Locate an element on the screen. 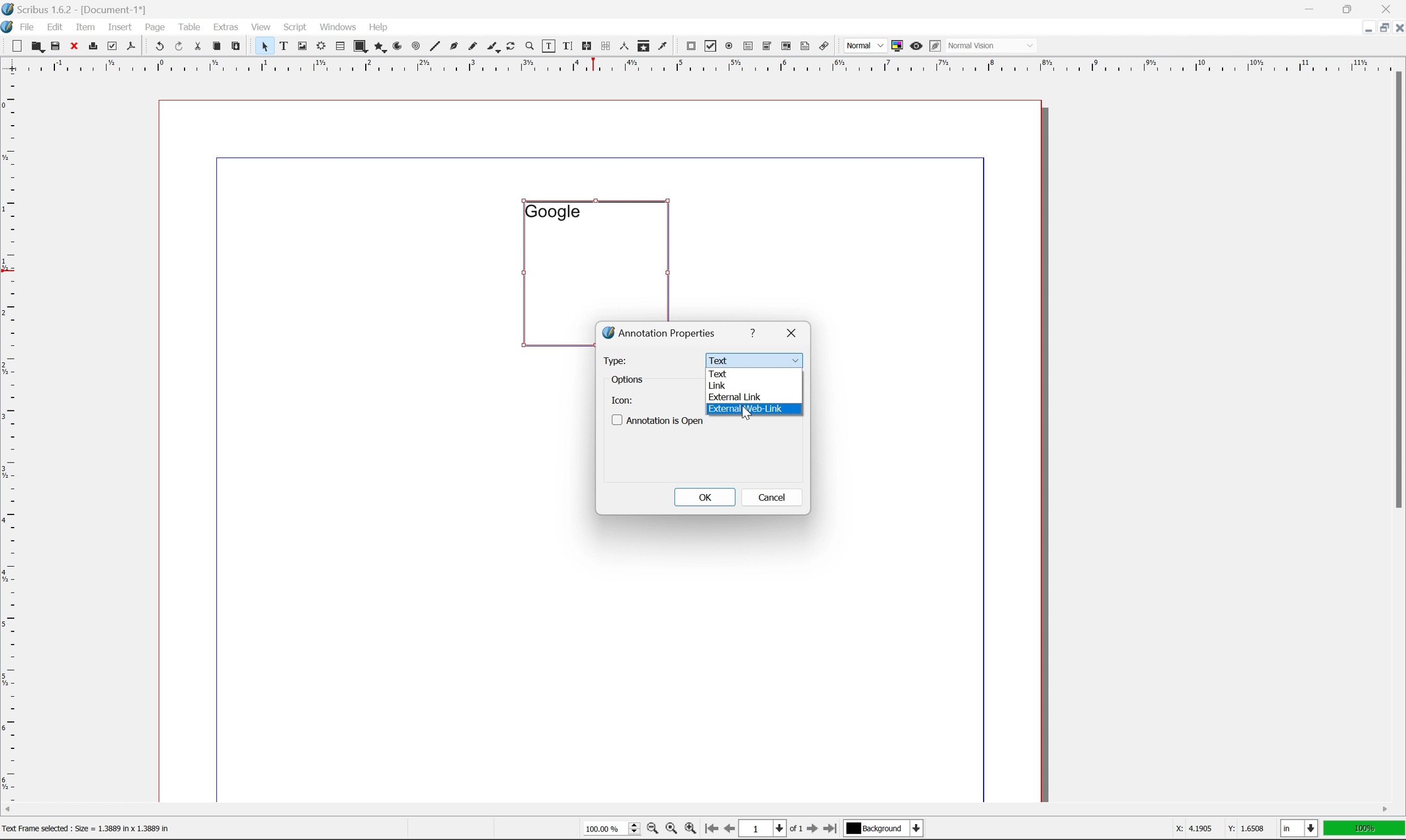 This screenshot has width=1406, height=840. scroll bar is located at coordinates (696, 809).